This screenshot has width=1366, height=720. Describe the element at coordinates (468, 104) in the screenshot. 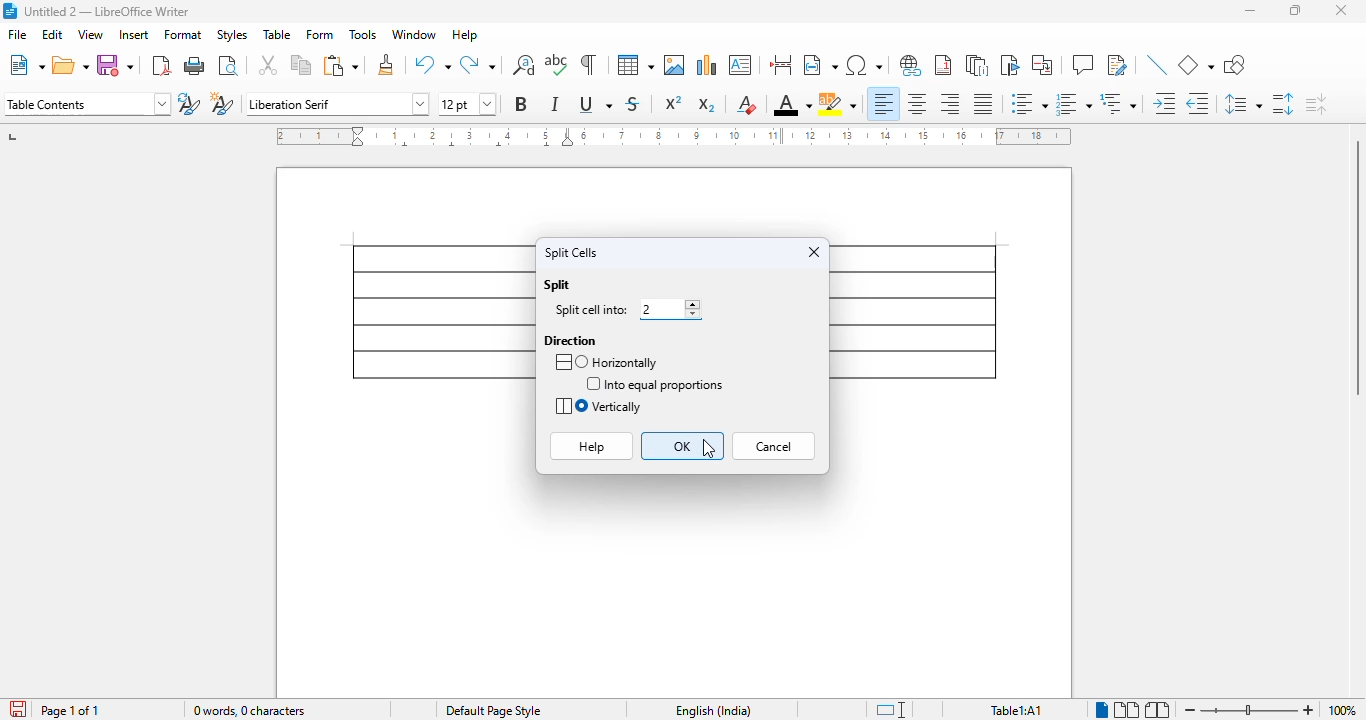

I see `font size` at that location.